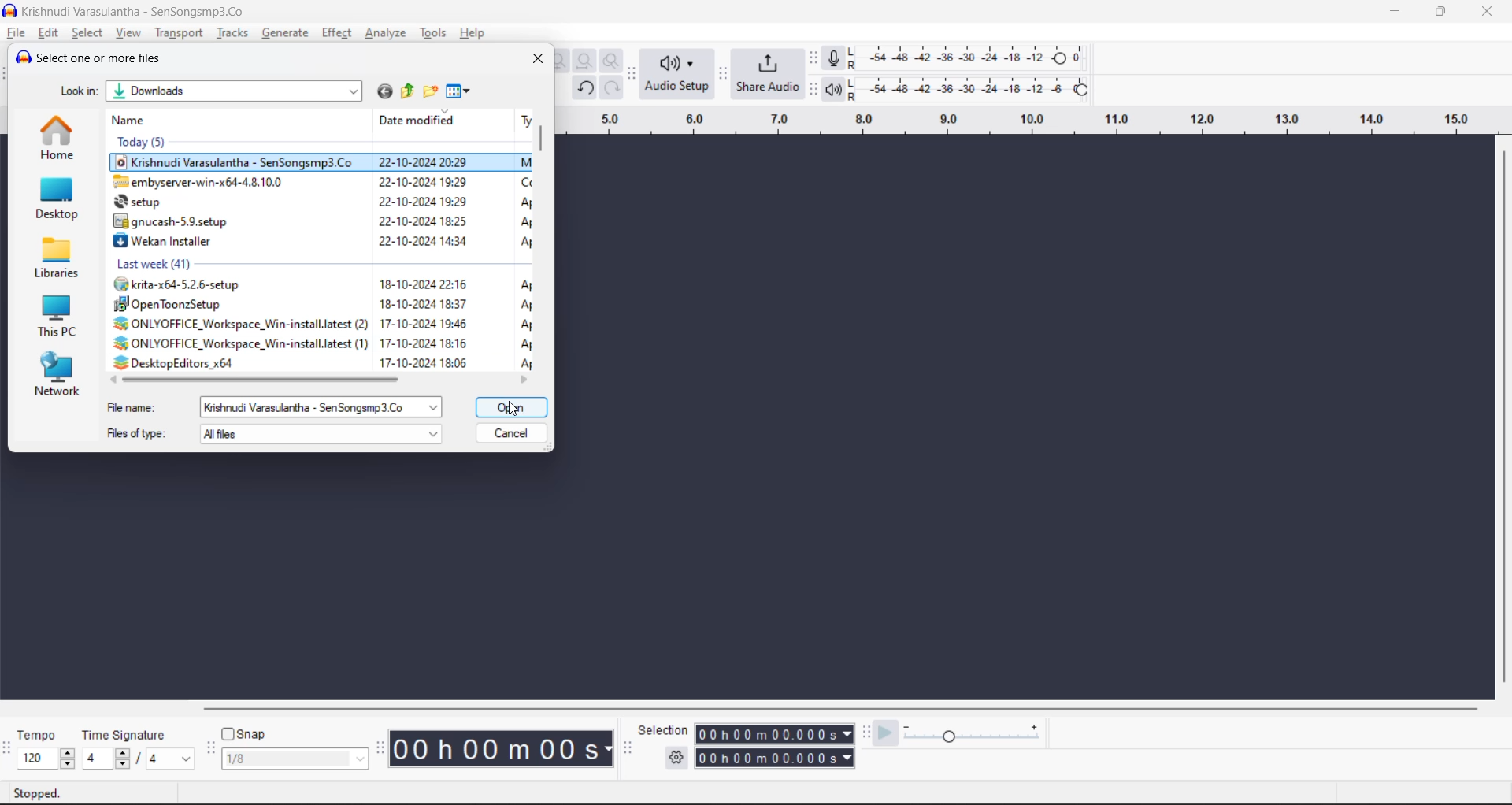 The image size is (1512, 805). I want to click on view, so click(131, 33).